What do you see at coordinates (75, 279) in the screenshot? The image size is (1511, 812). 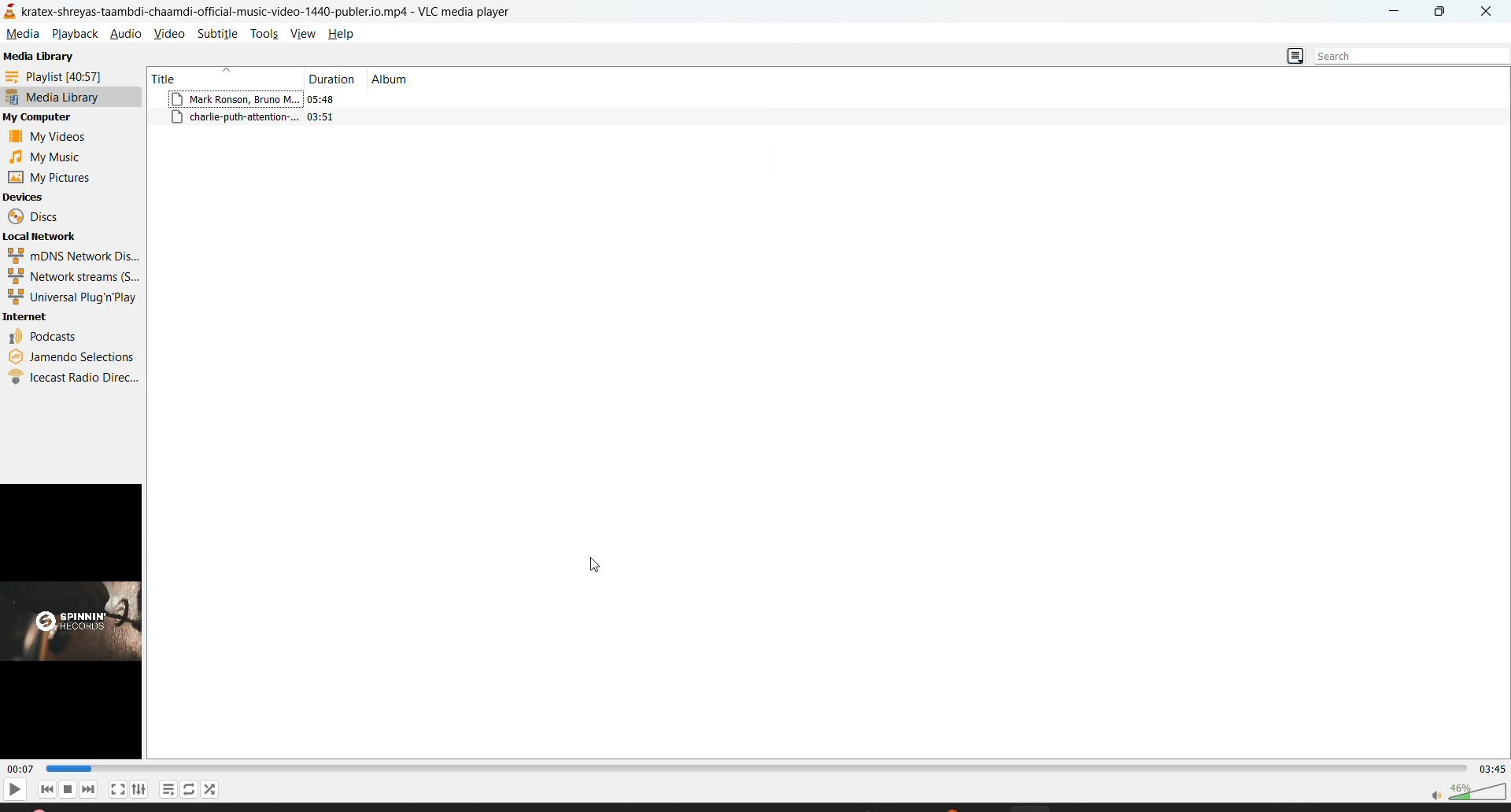 I see `network streams` at bounding box center [75, 279].